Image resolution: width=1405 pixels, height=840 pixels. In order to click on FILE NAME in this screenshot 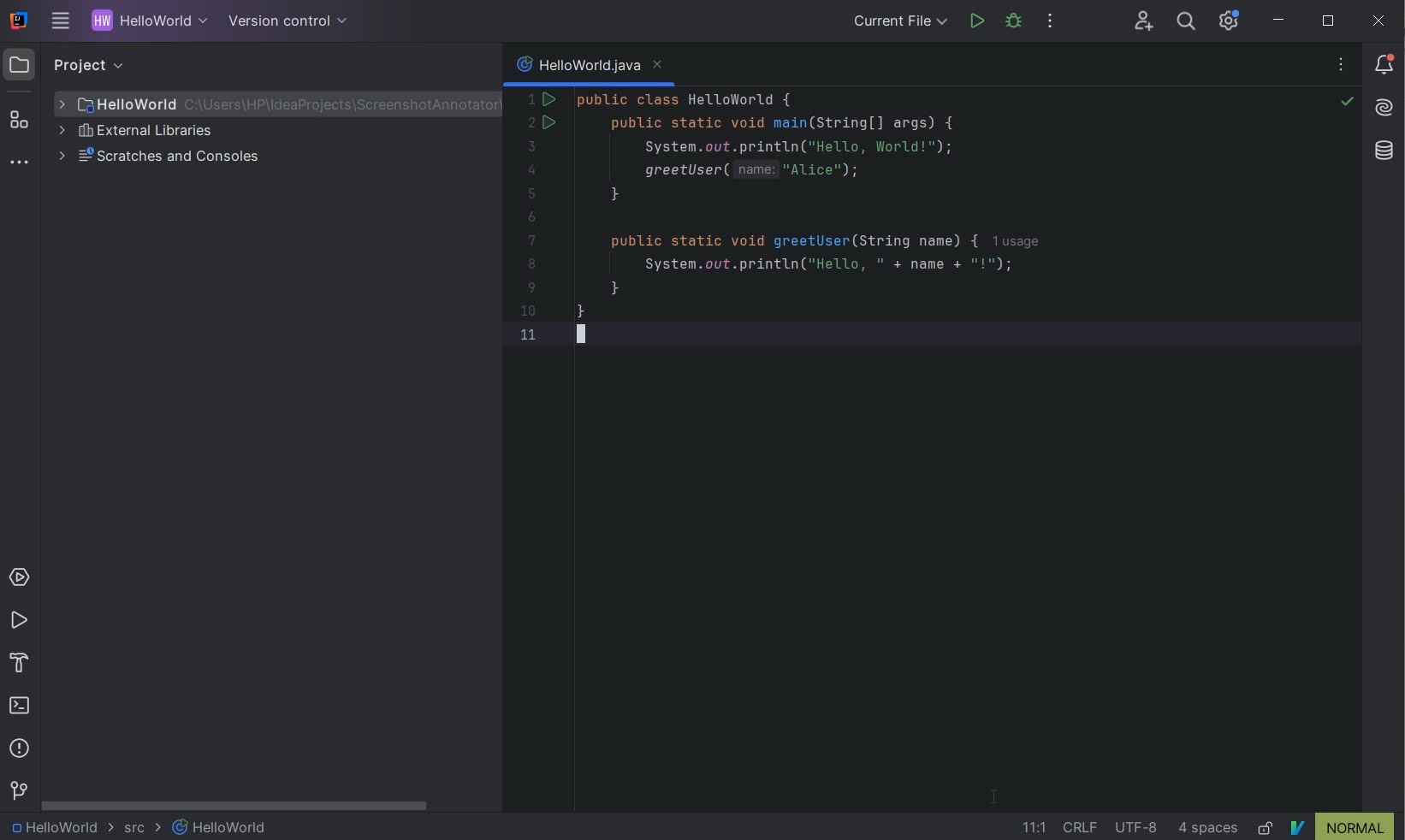, I will do `click(590, 68)`.